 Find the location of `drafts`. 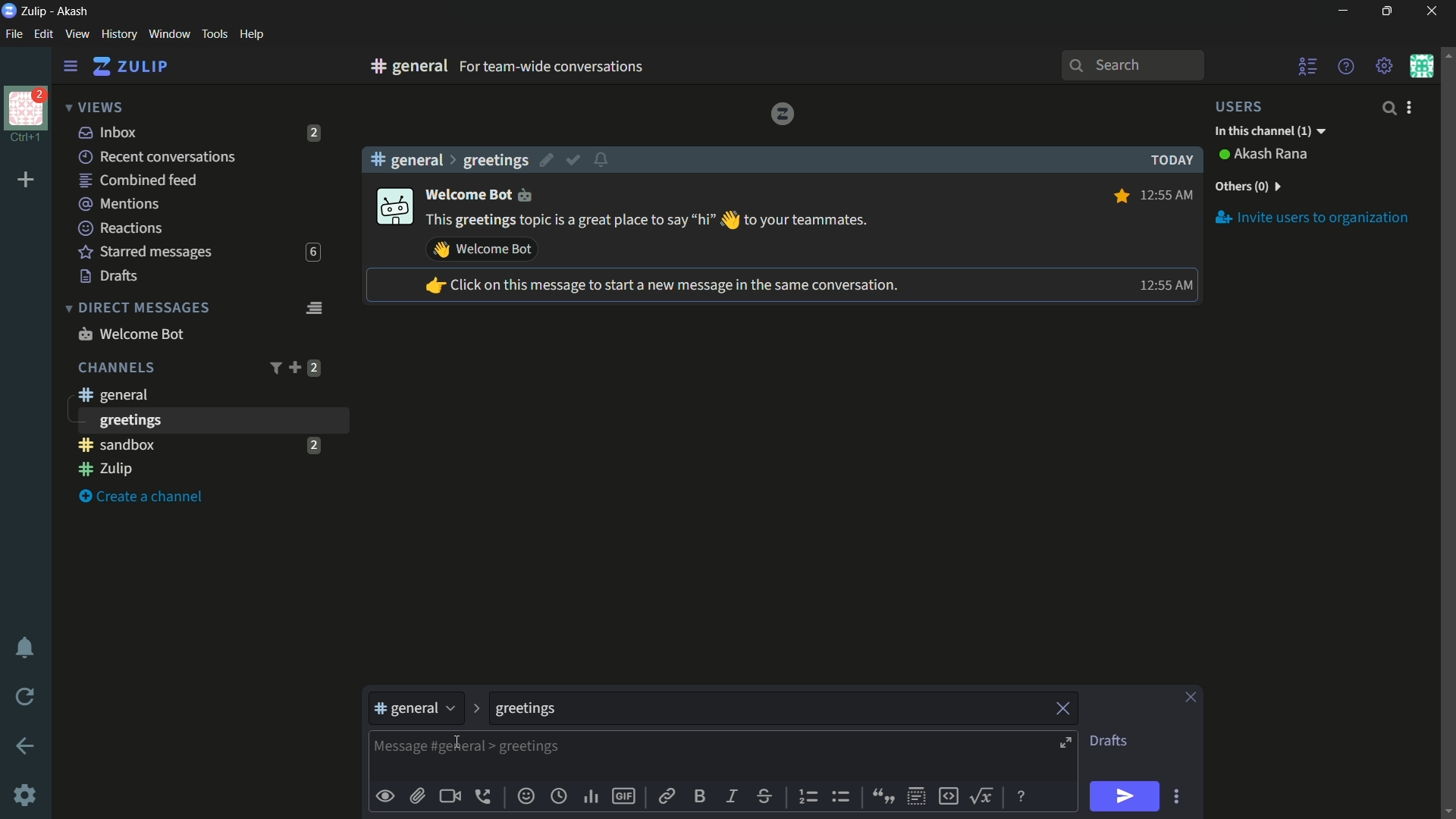

drafts is located at coordinates (1108, 741).